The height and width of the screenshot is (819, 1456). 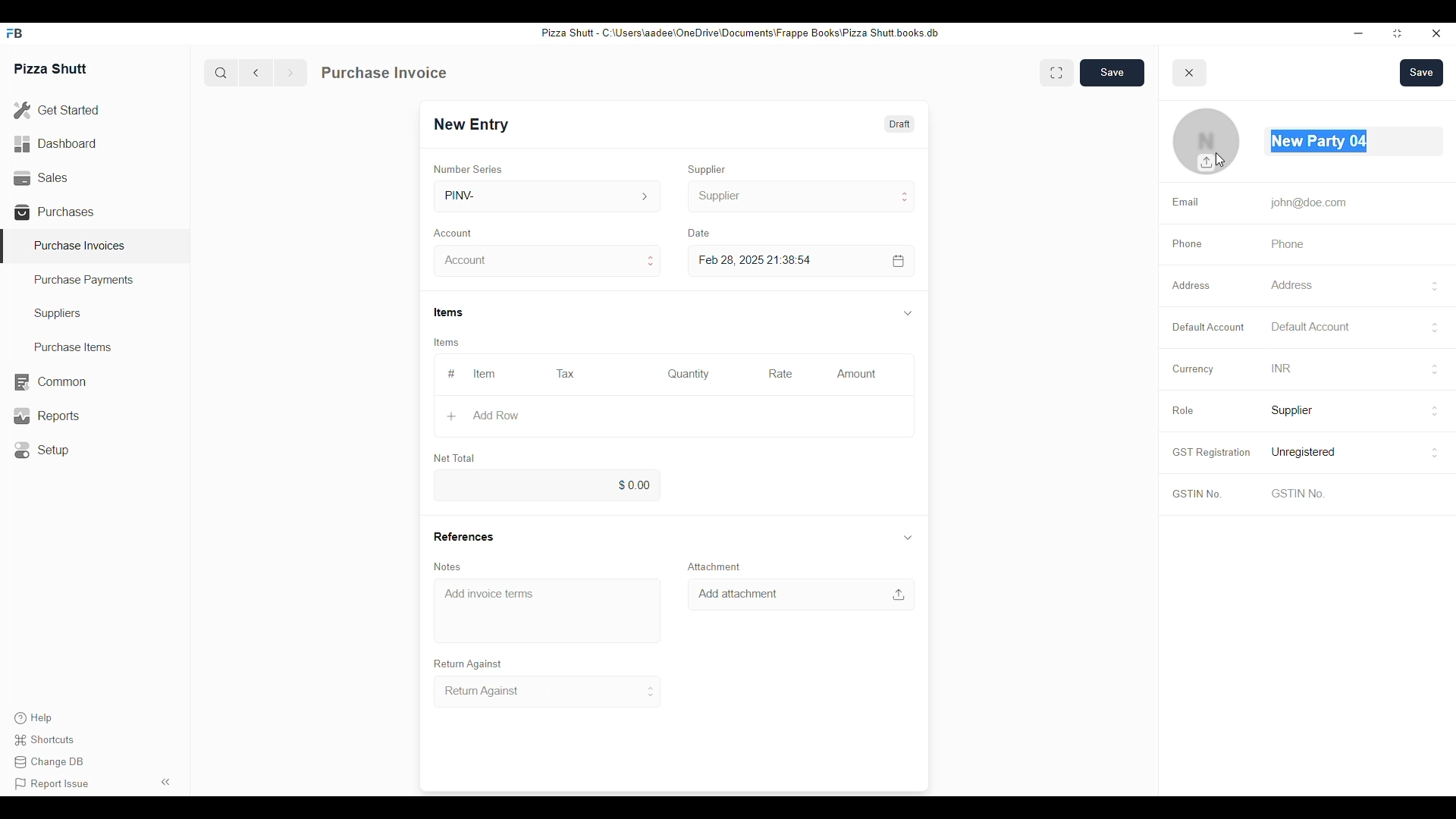 I want to click on Supplier, so click(x=1293, y=411).